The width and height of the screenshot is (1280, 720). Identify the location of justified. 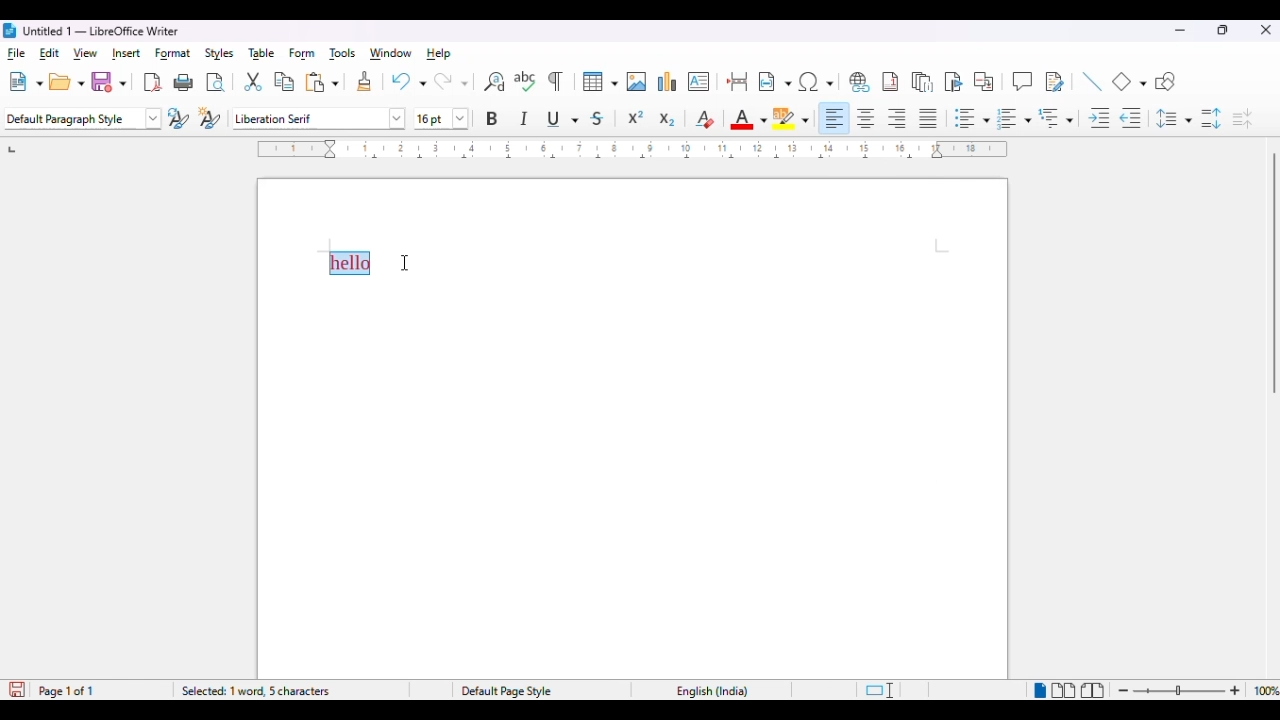
(929, 118).